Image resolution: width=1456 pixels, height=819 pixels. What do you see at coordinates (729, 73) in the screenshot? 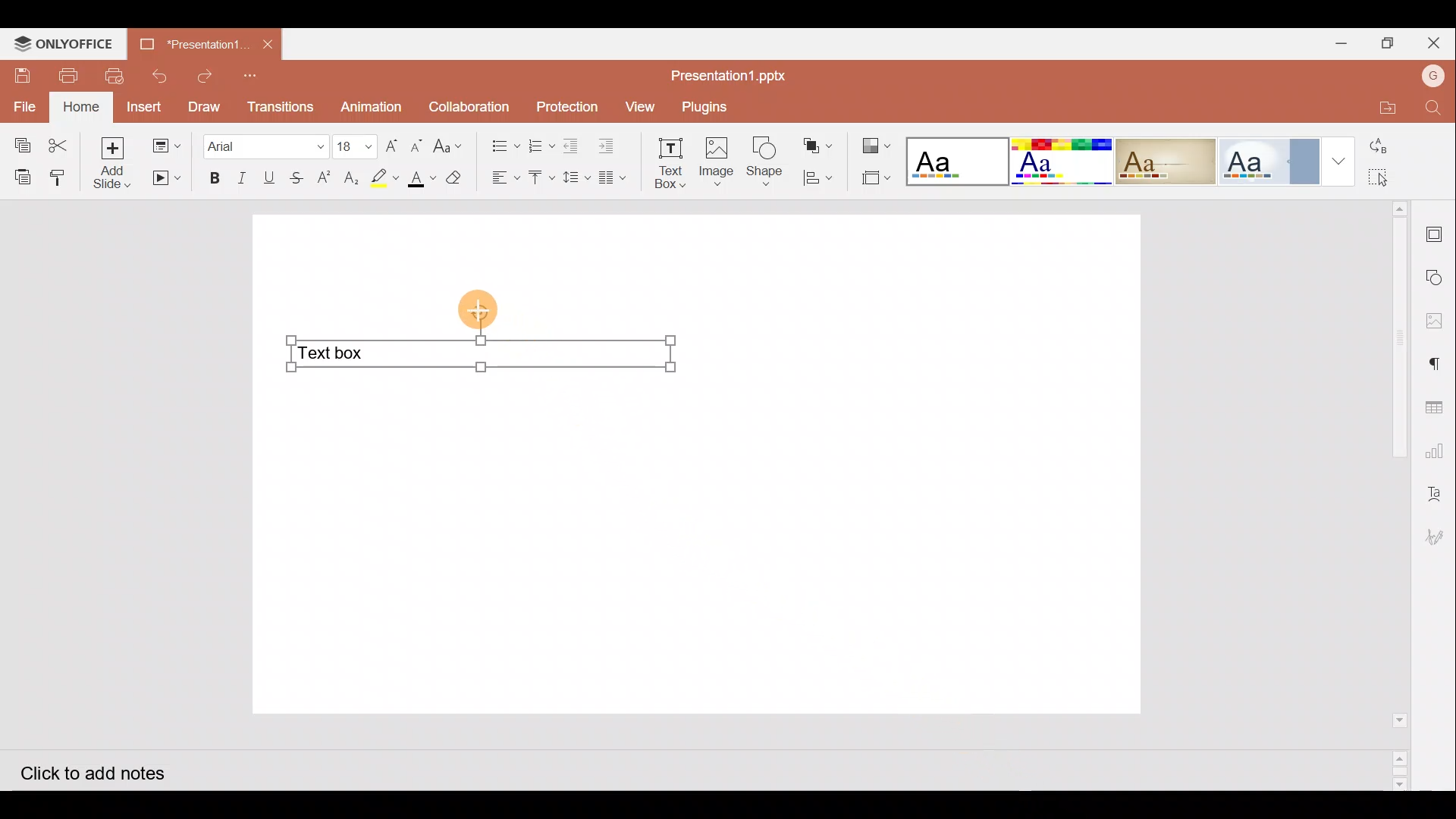
I see `Presentation1.pptx` at bounding box center [729, 73].